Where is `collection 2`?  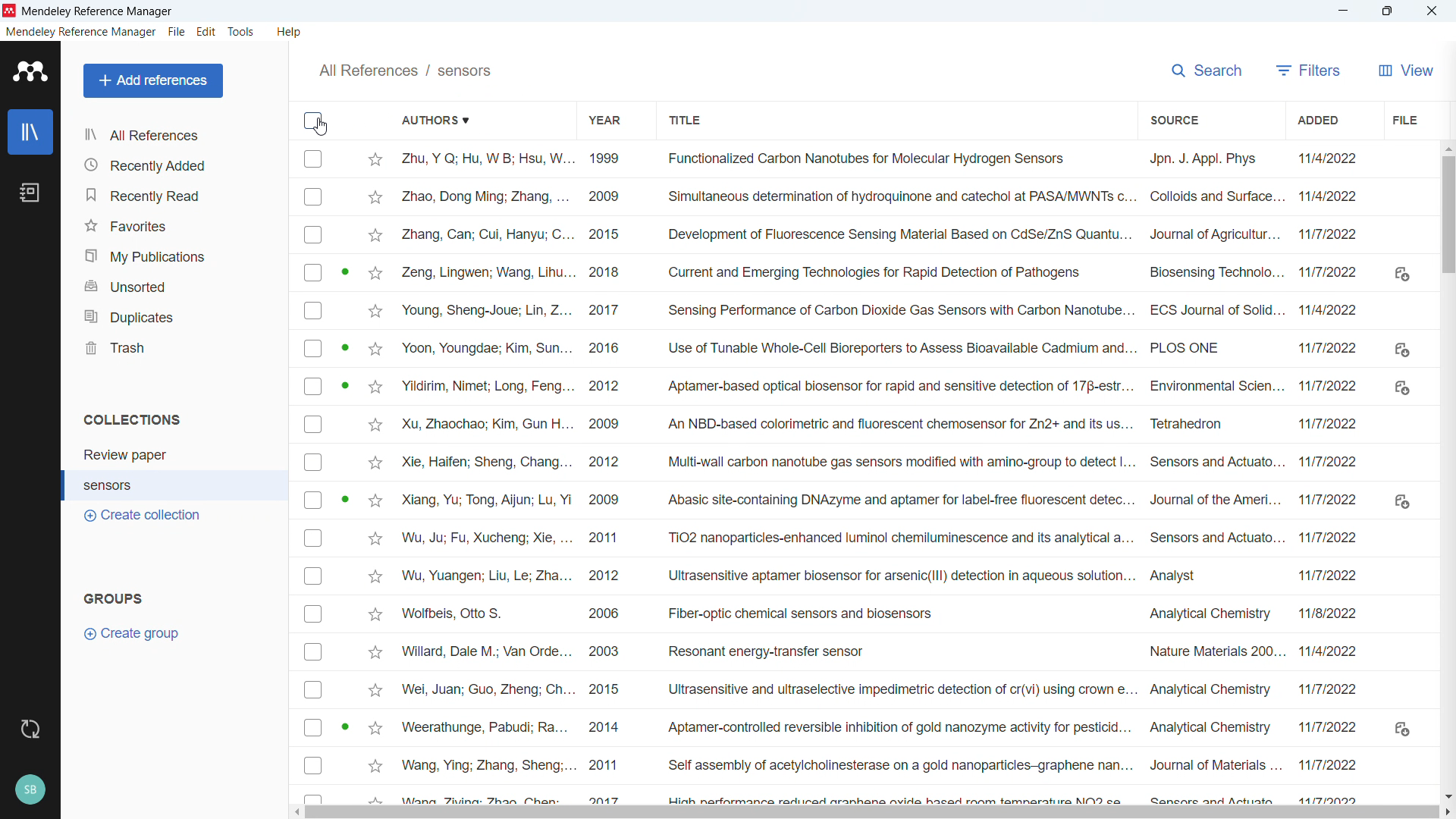 collection 2 is located at coordinates (175, 485).